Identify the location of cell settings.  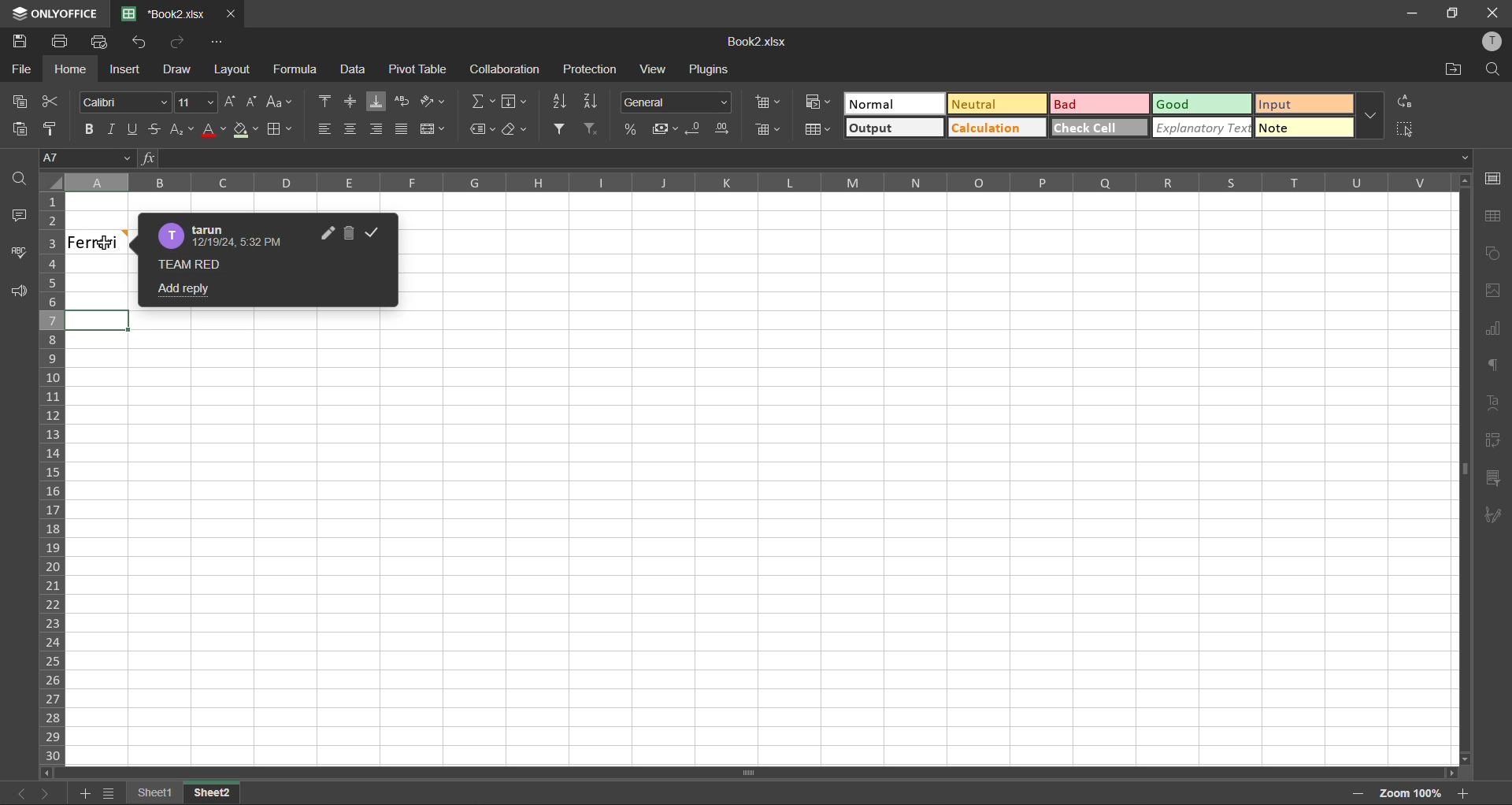
(1497, 180).